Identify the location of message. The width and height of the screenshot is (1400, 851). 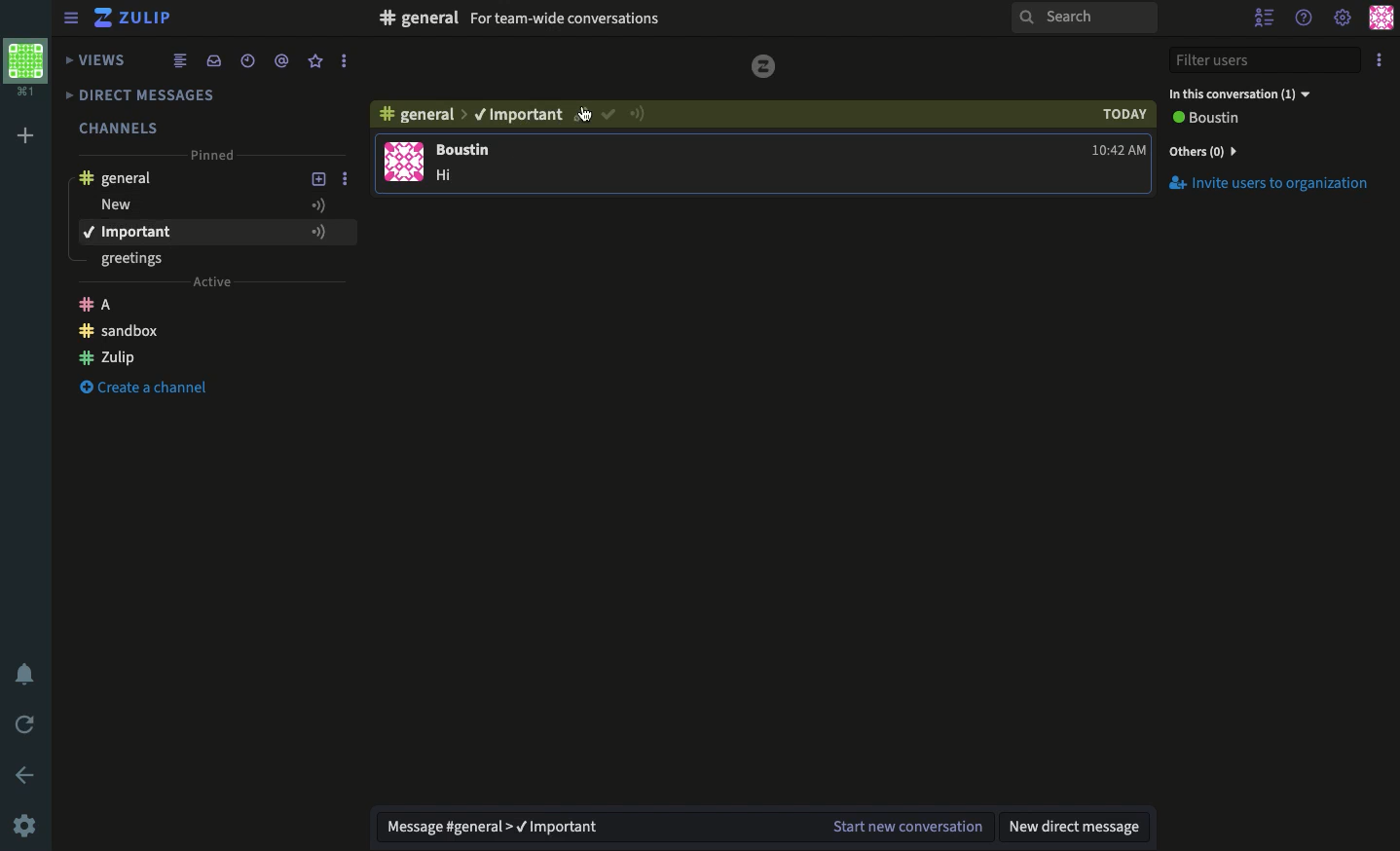
(457, 177).